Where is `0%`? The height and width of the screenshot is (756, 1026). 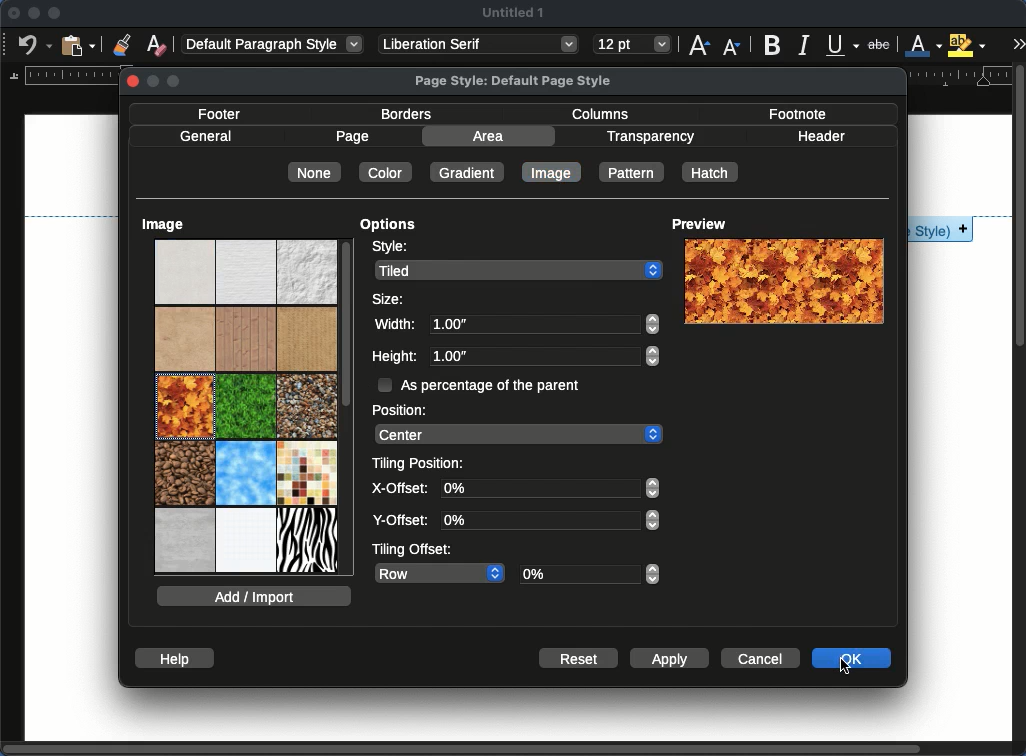
0% is located at coordinates (589, 575).